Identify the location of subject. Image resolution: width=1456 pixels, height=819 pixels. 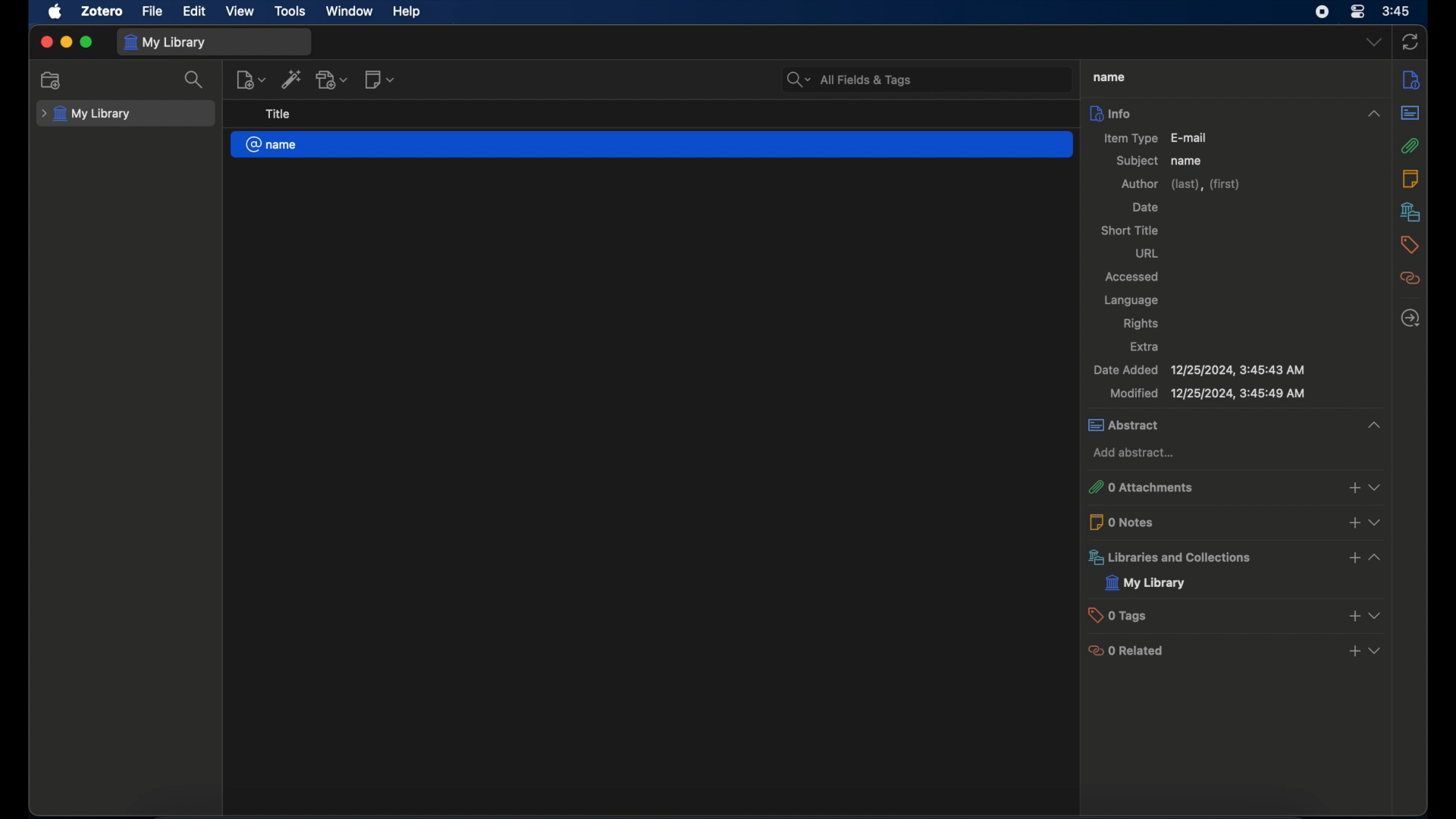
(1137, 161).